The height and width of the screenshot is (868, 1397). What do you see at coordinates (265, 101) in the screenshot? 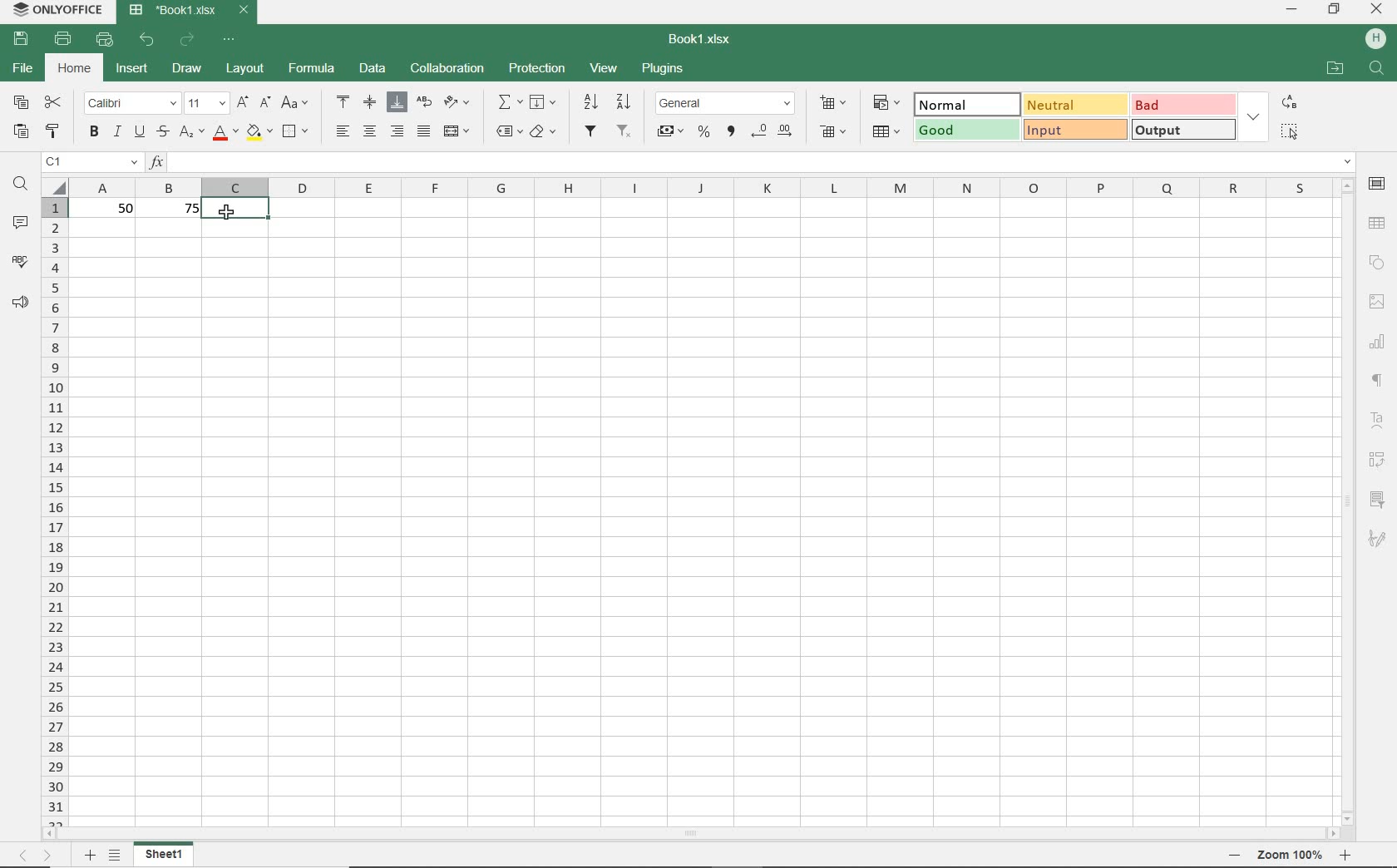
I see `decrement font size` at bounding box center [265, 101].